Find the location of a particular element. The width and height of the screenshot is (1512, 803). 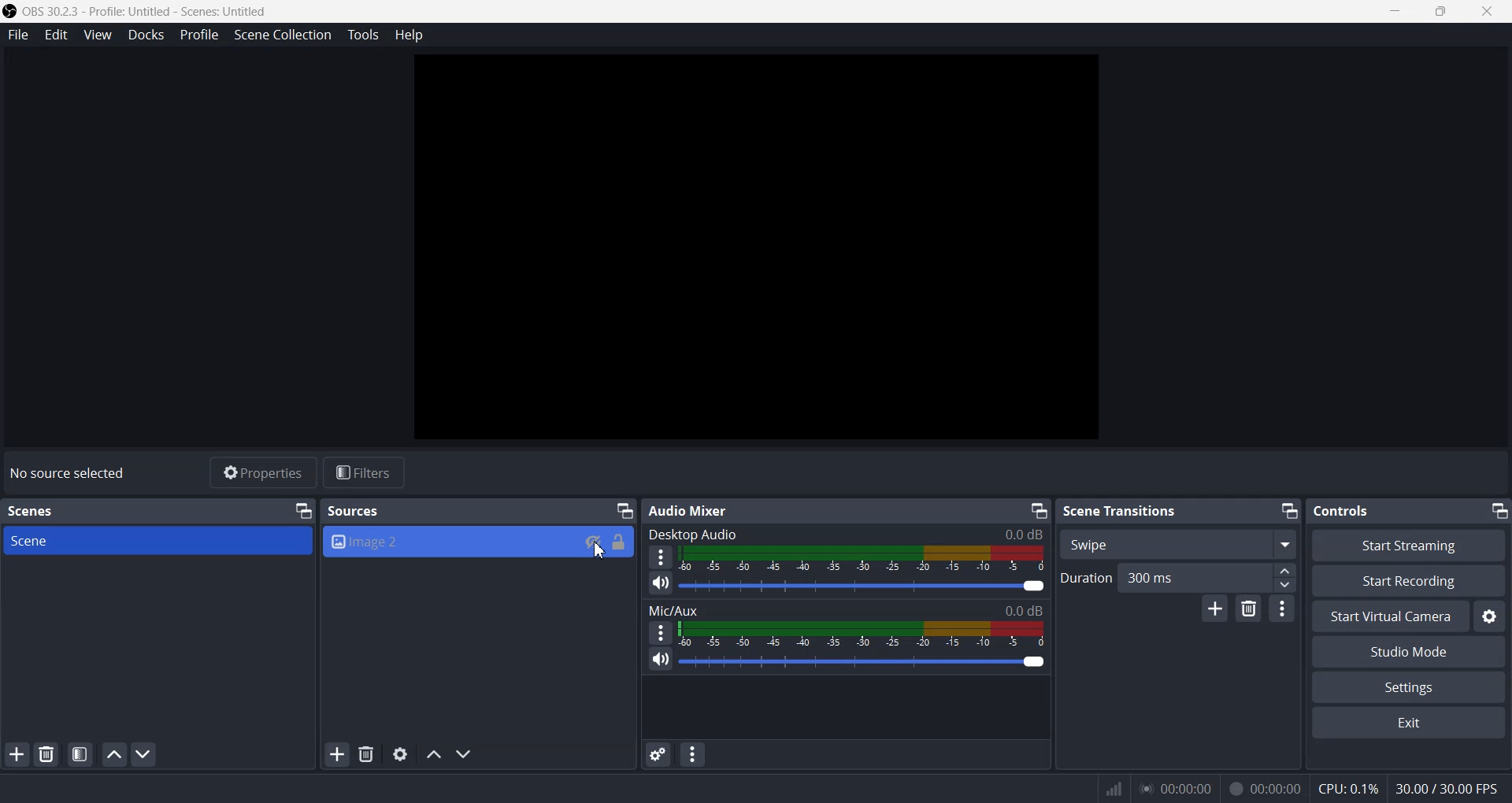

Start Streaming is located at coordinates (1408, 544).